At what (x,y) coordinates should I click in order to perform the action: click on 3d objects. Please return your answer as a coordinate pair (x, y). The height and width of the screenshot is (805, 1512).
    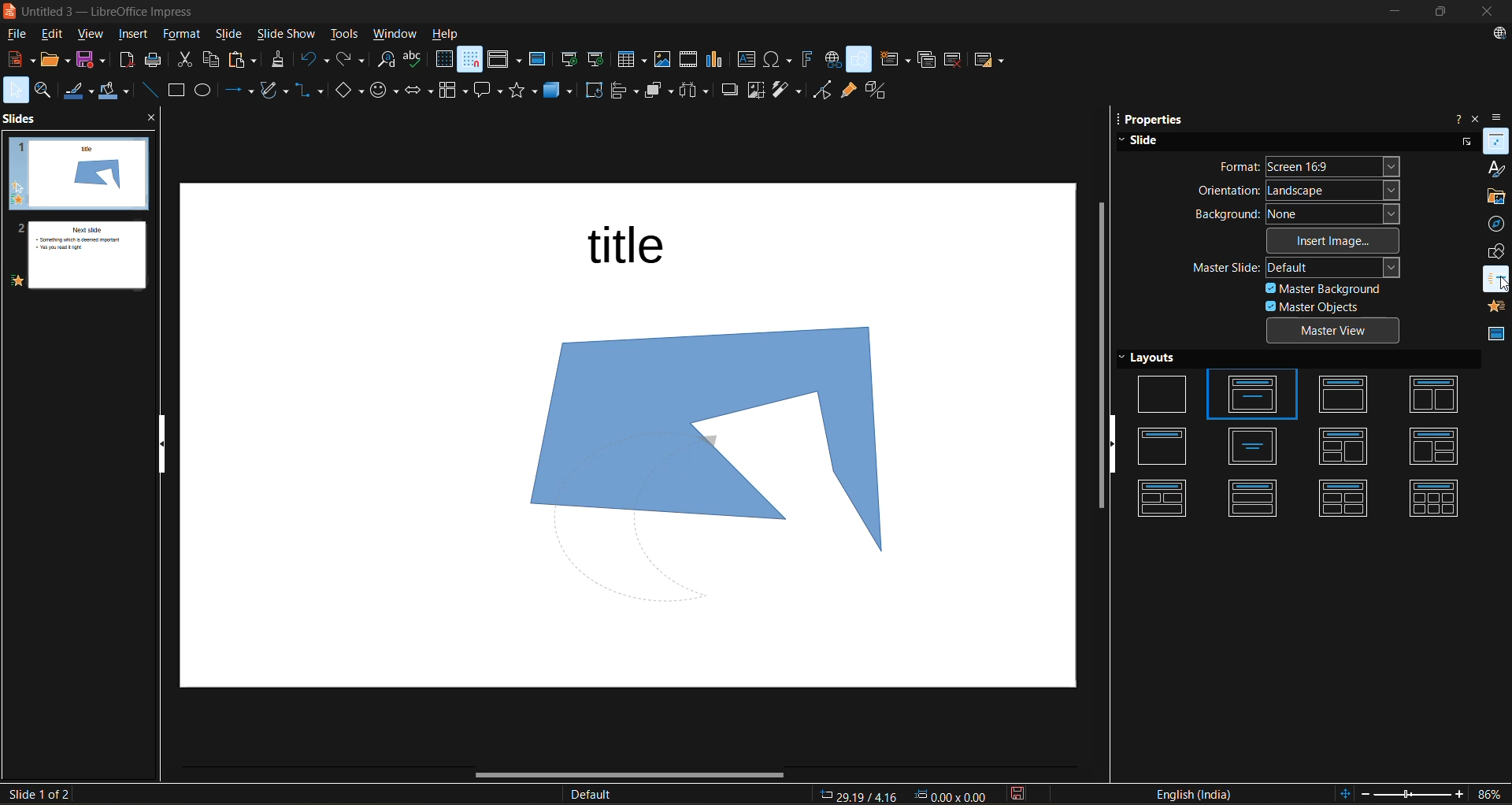
    Looking at the image, I should click on (562, 90).